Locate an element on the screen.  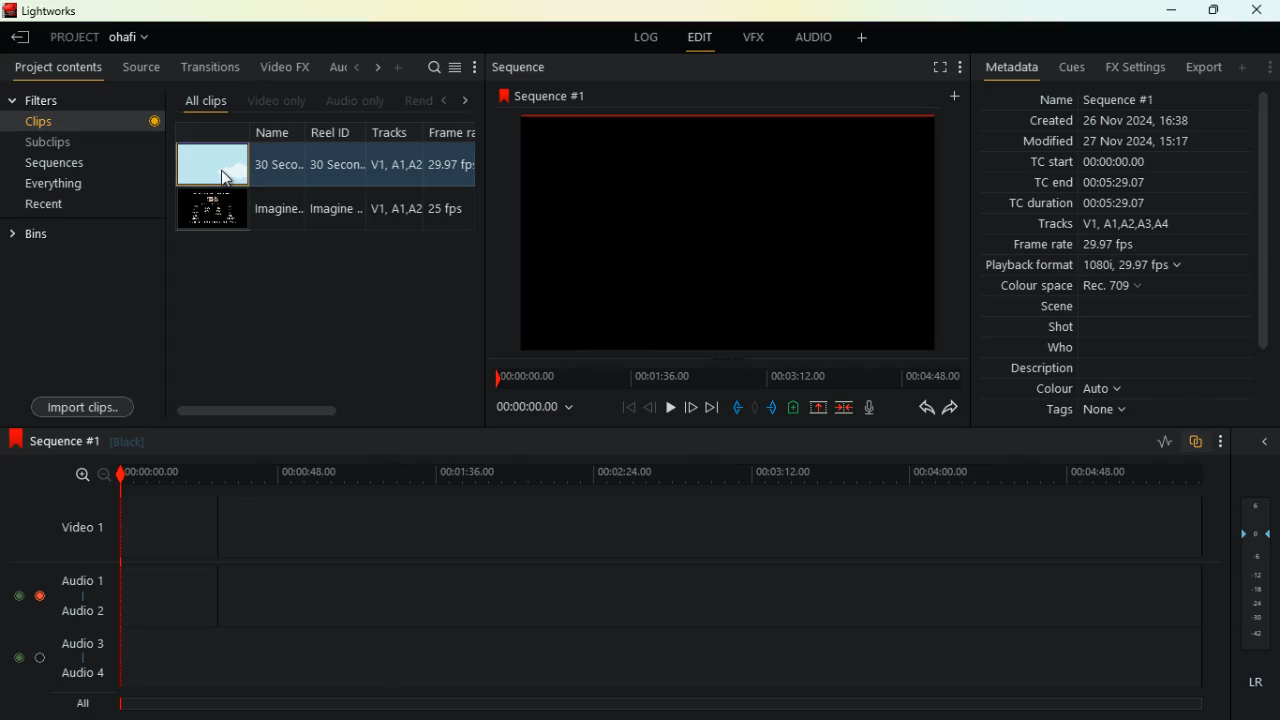
fps is located at coordinates (455, 179).